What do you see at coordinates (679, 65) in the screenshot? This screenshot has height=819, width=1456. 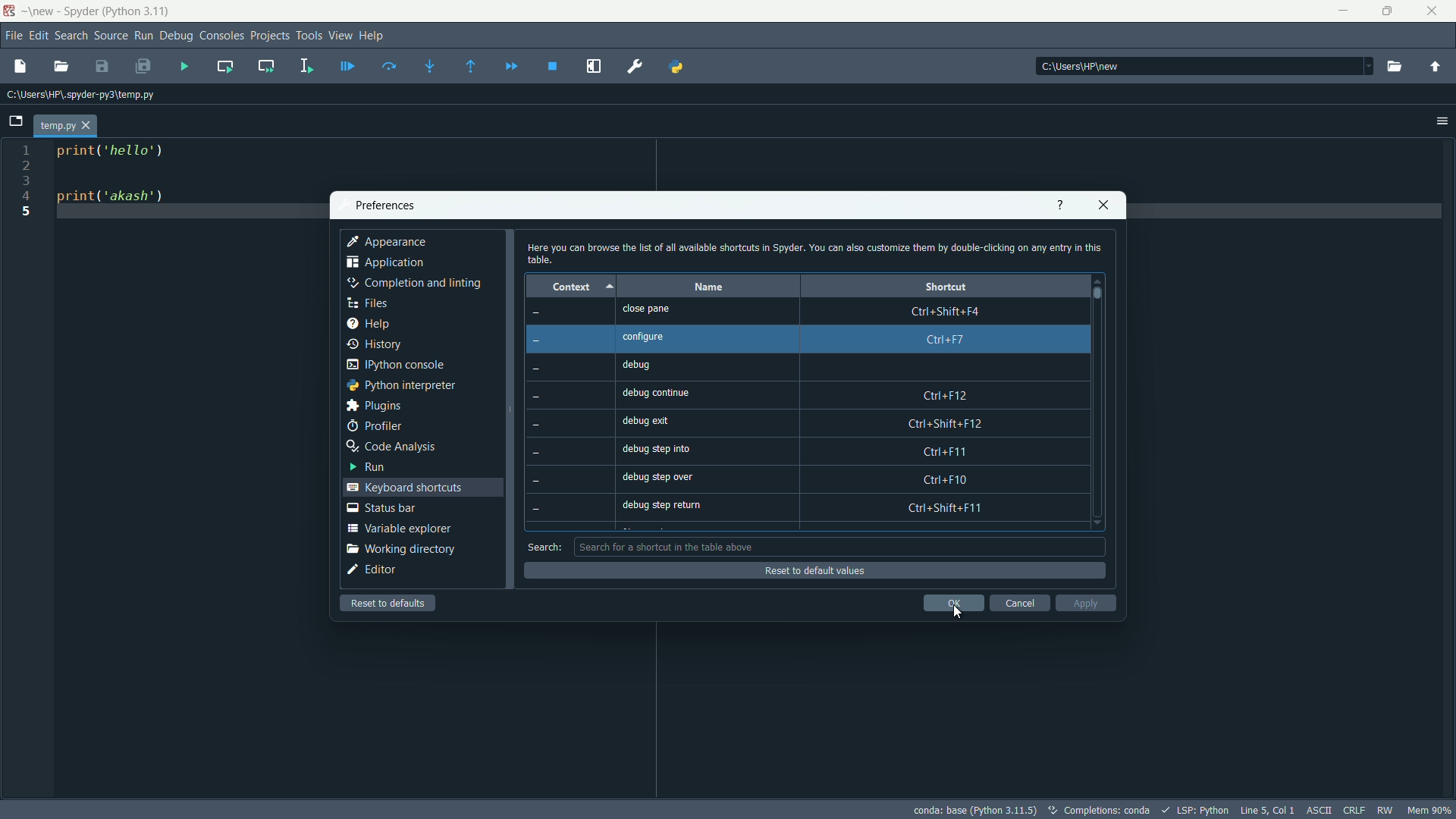 I see `python path manager` at bounding box center [679, 65].